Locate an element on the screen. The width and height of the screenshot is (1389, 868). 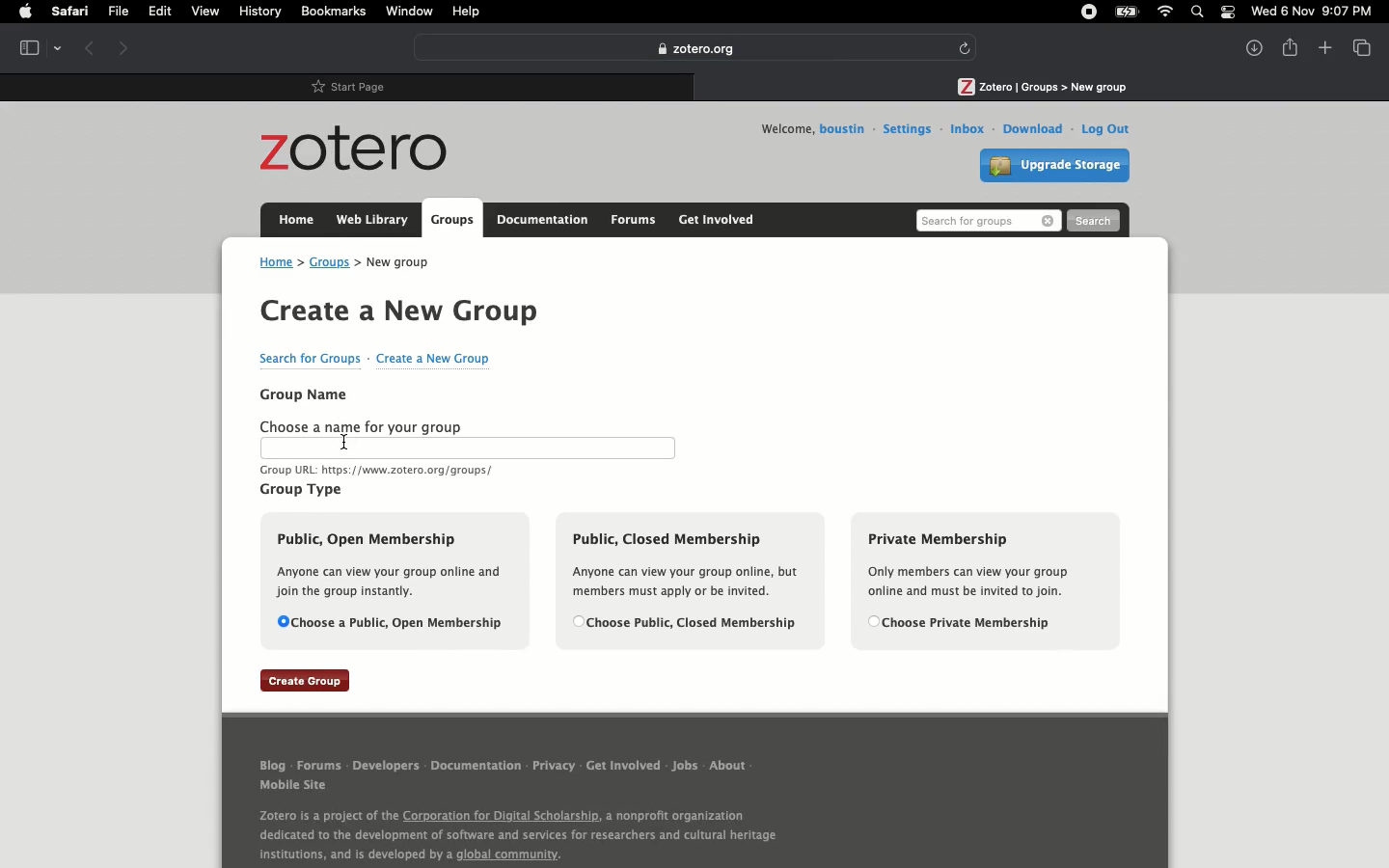
Forums is located at coordinates (321, 766).